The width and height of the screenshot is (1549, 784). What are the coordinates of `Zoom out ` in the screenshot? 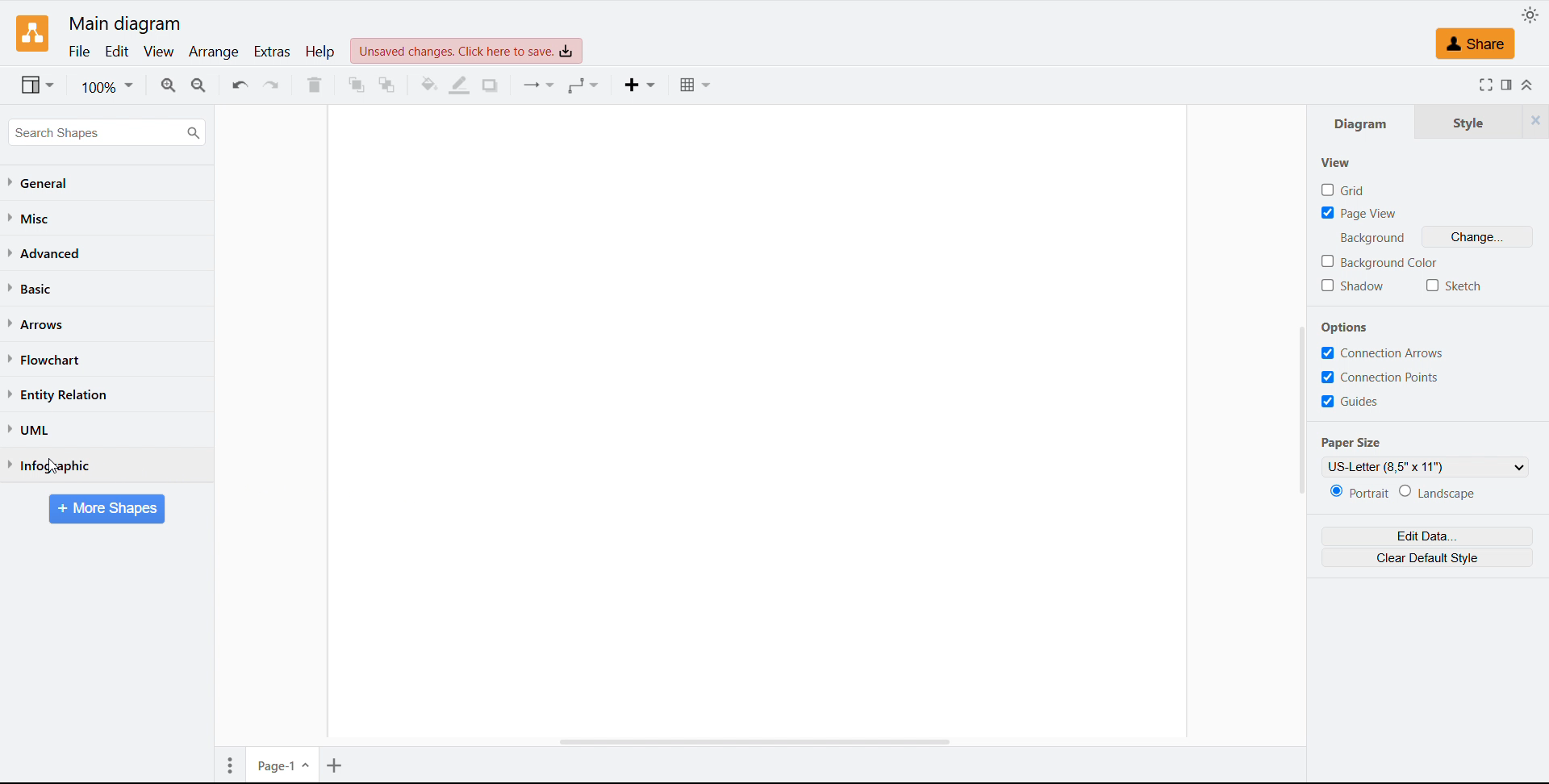 It's located at (201, 85).